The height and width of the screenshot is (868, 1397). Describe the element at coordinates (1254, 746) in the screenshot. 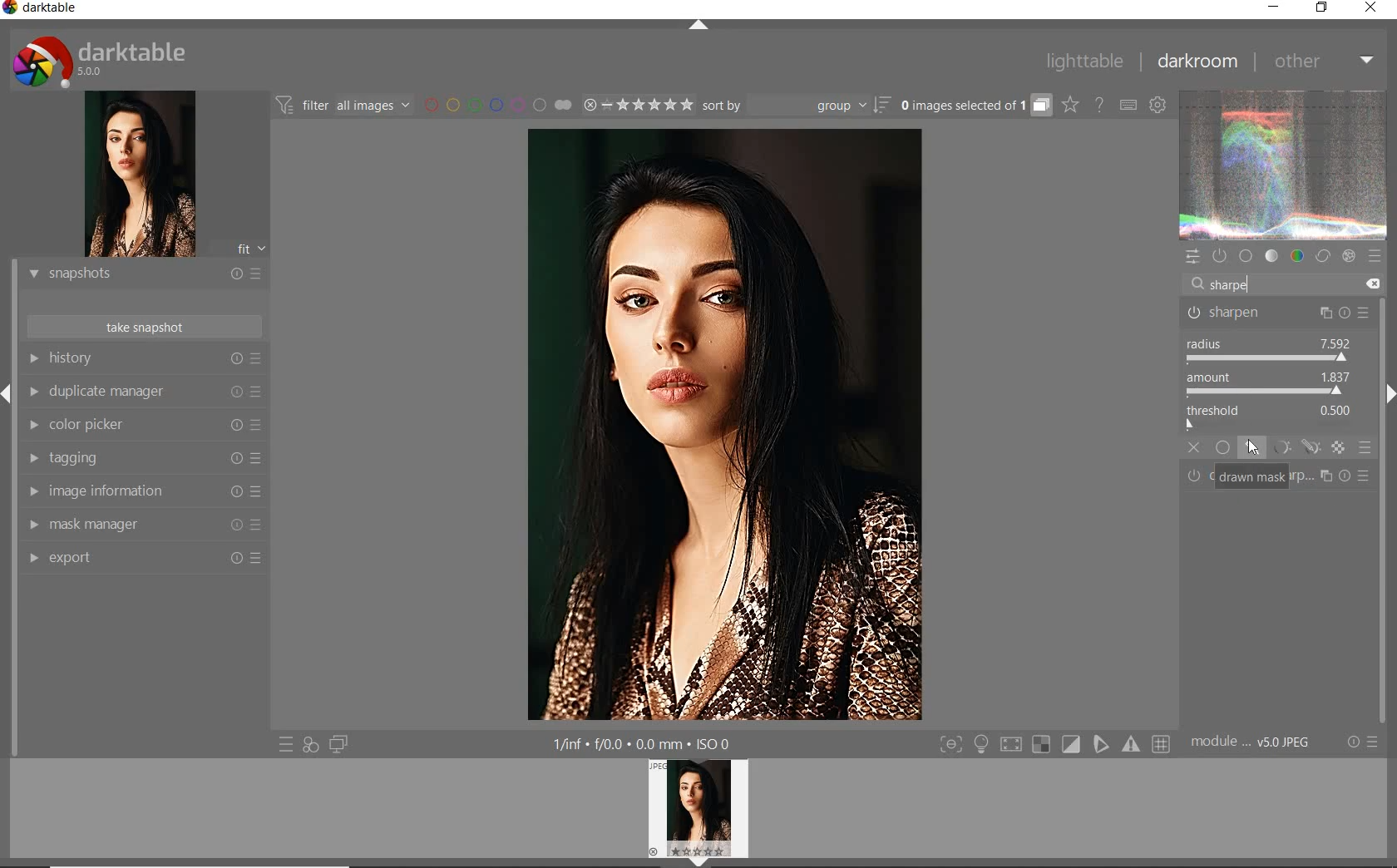

I see `MODULE` at that location.